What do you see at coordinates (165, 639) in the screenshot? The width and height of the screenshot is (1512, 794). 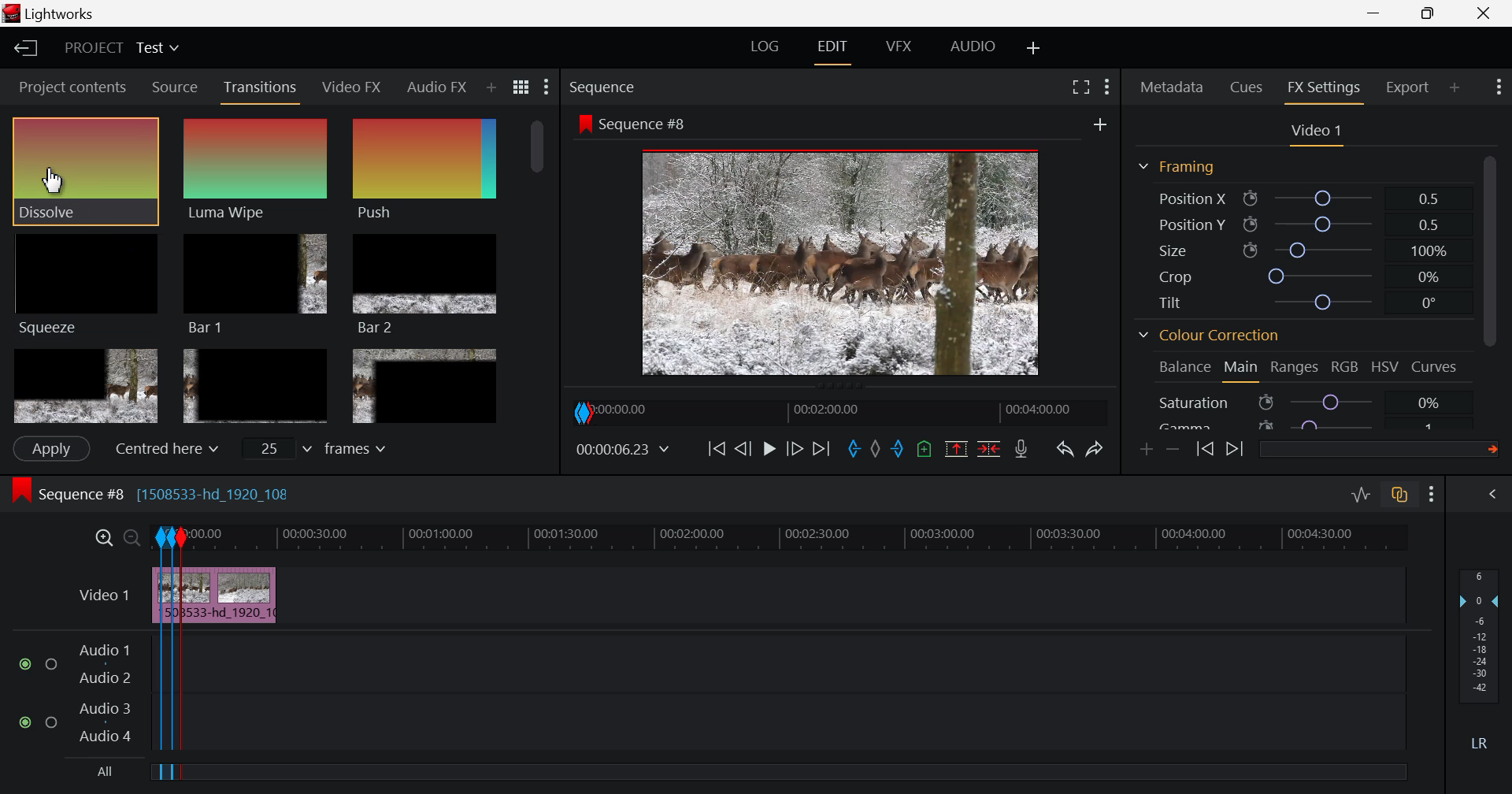 I see `Segment In & Out Marks Made` at bounding box center [165, 639].